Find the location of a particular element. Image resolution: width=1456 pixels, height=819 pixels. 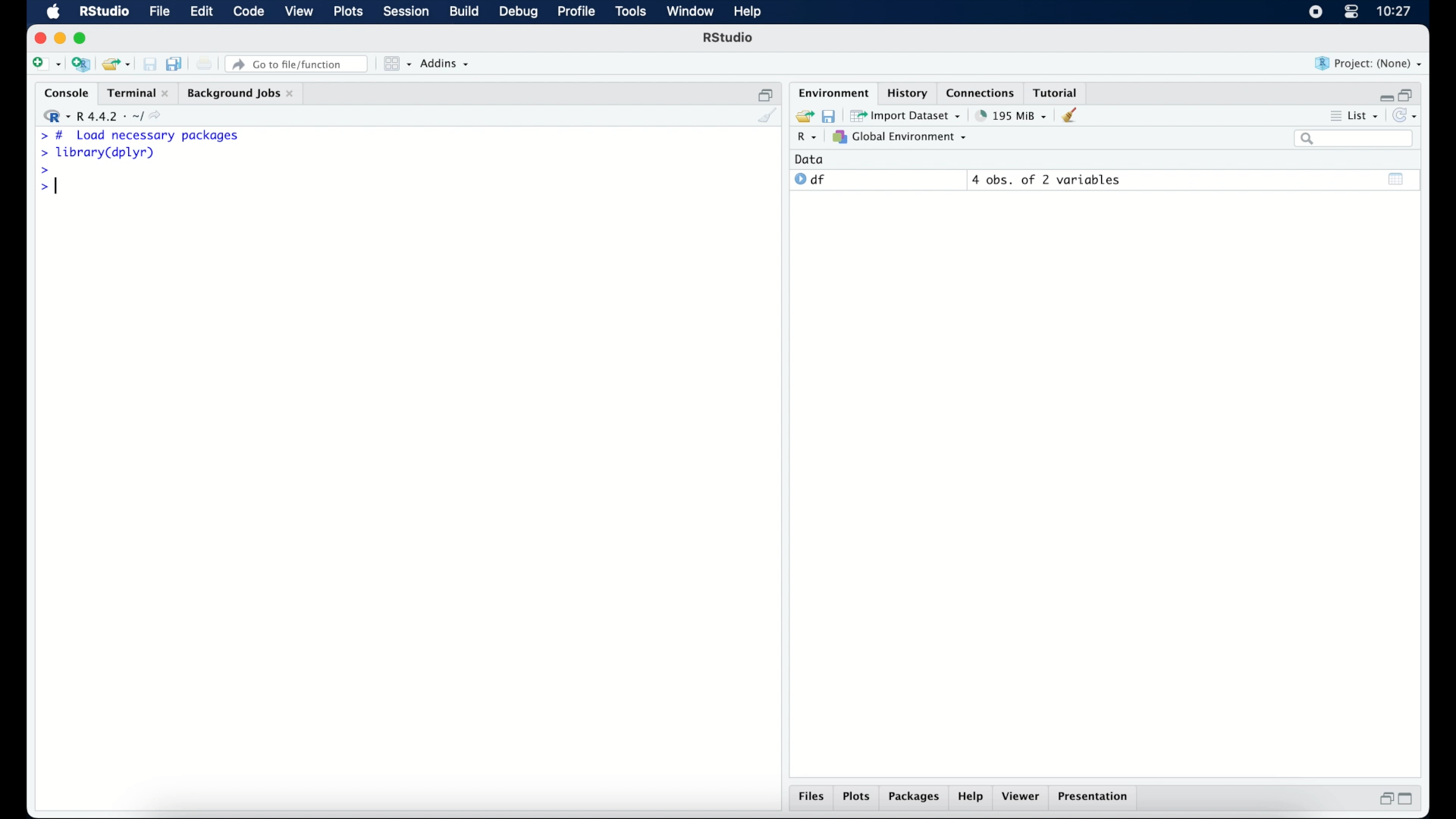

viewer is located at coordinates (1024, 798).